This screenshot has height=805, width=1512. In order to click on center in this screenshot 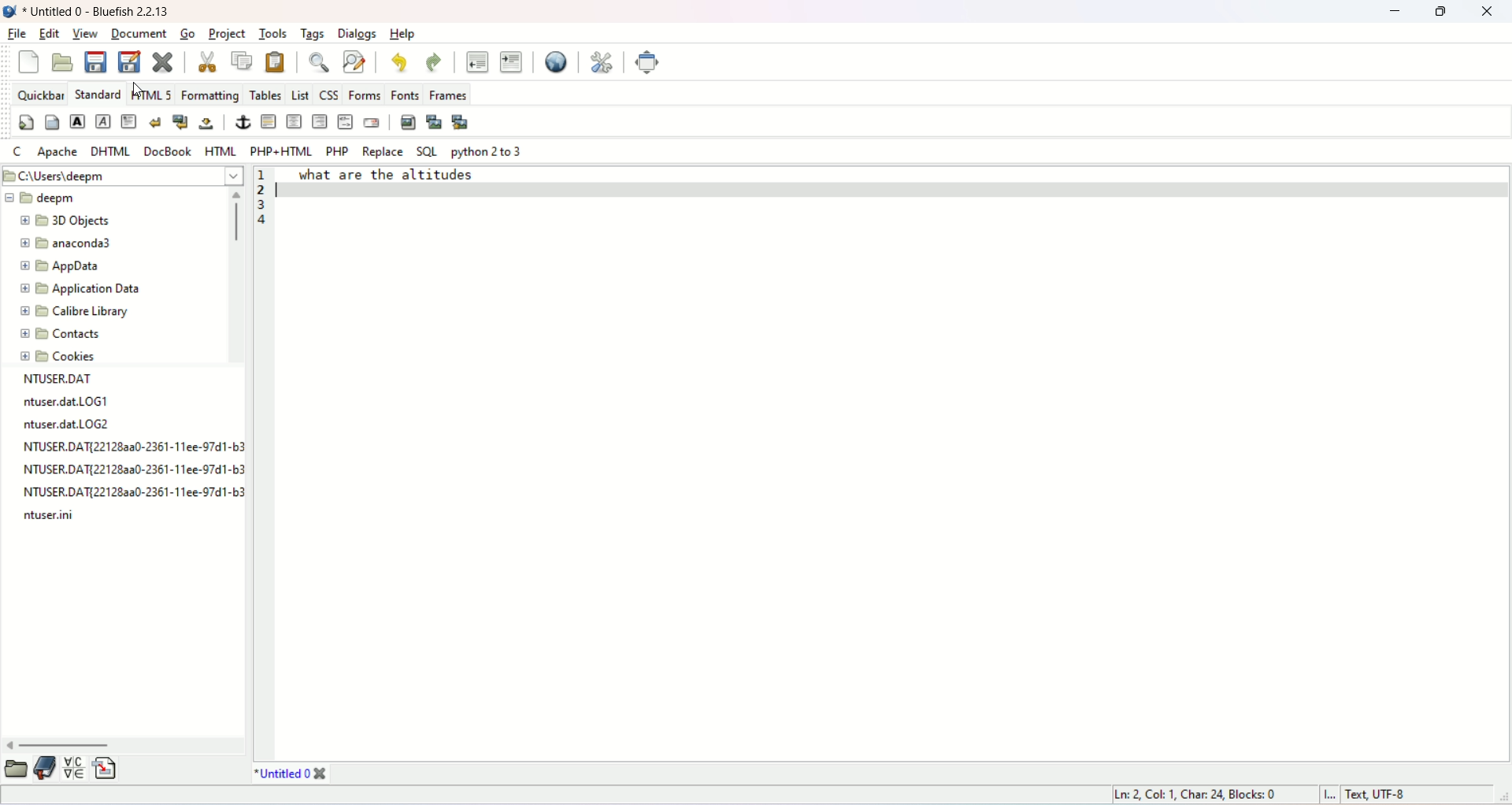, I will do `click(295, 122)`.